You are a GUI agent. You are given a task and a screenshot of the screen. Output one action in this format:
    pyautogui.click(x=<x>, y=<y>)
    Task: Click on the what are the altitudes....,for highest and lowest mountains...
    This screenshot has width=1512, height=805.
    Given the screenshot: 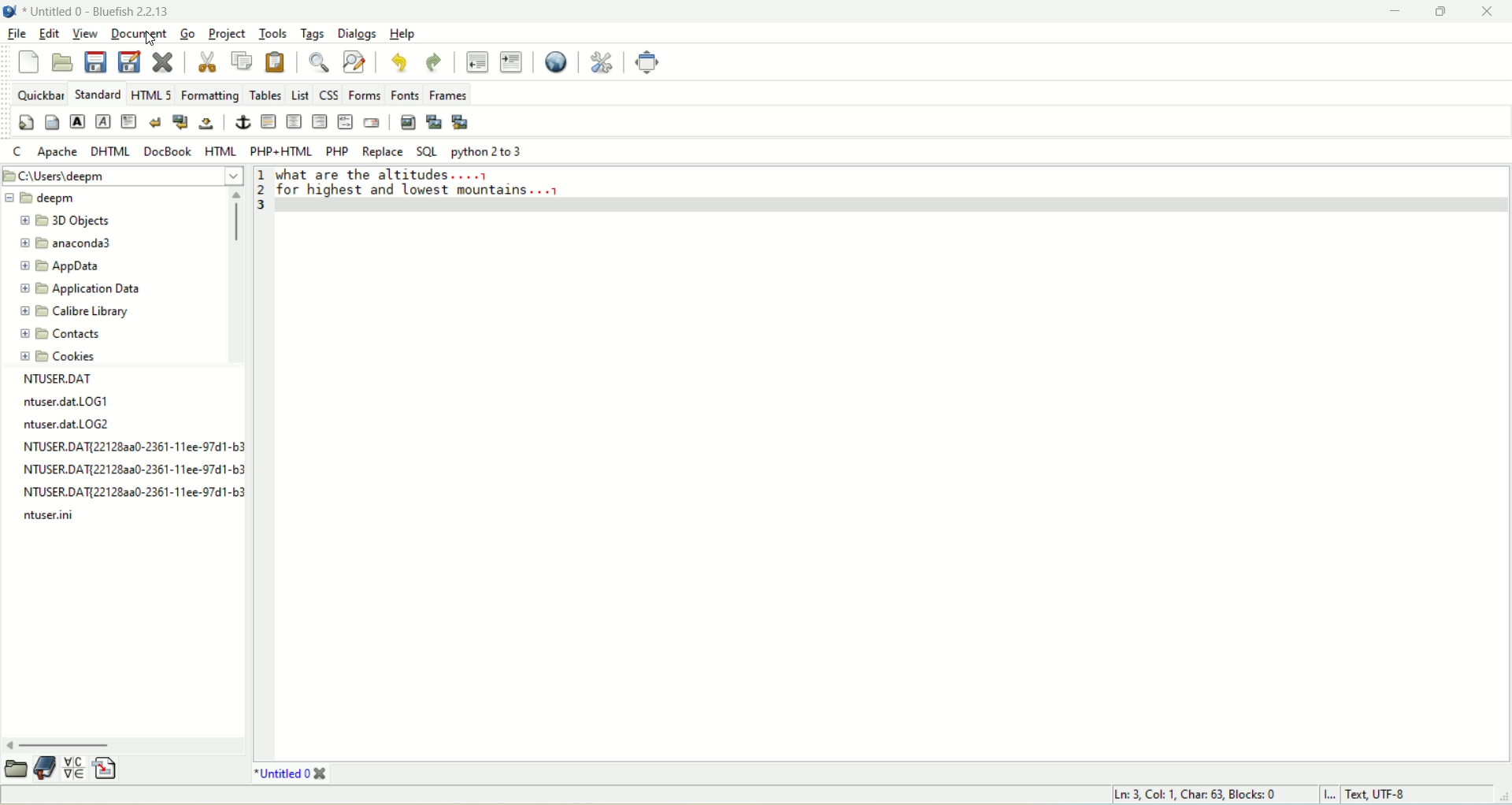 What is the action you would take?
    pyautogui.click(x=432, y=187)
    